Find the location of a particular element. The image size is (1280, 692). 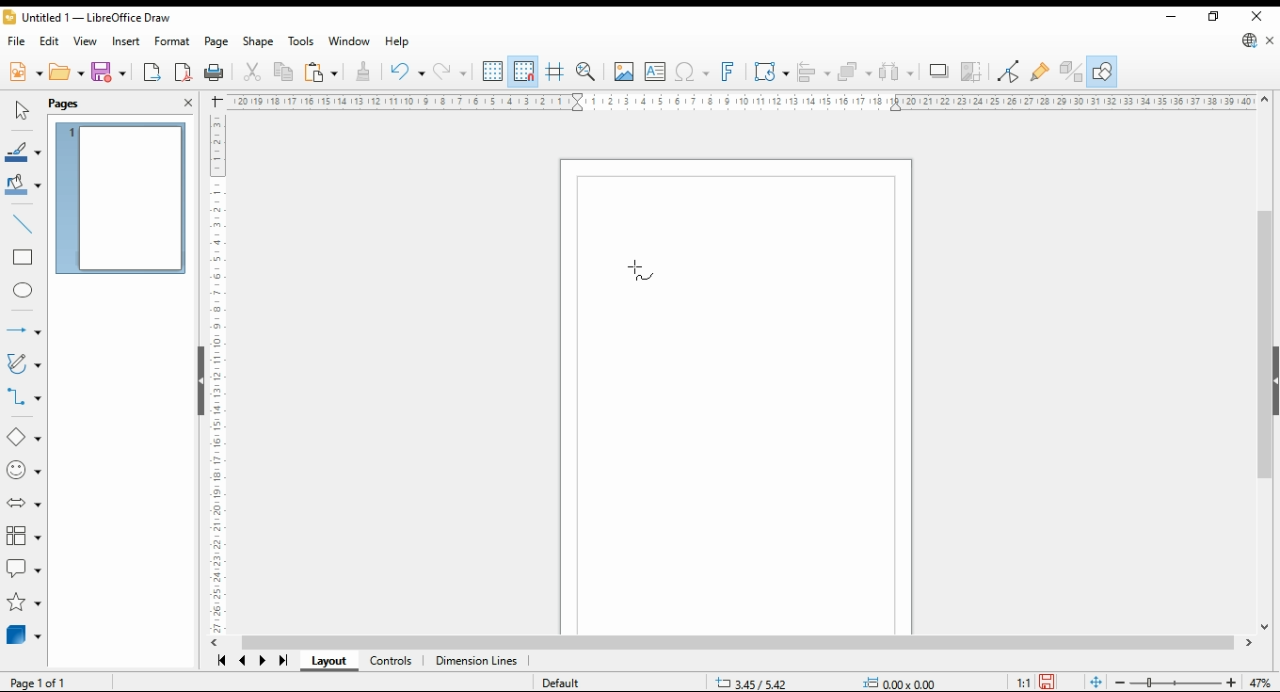

zoom and pan is located at coordinates (586, 73).